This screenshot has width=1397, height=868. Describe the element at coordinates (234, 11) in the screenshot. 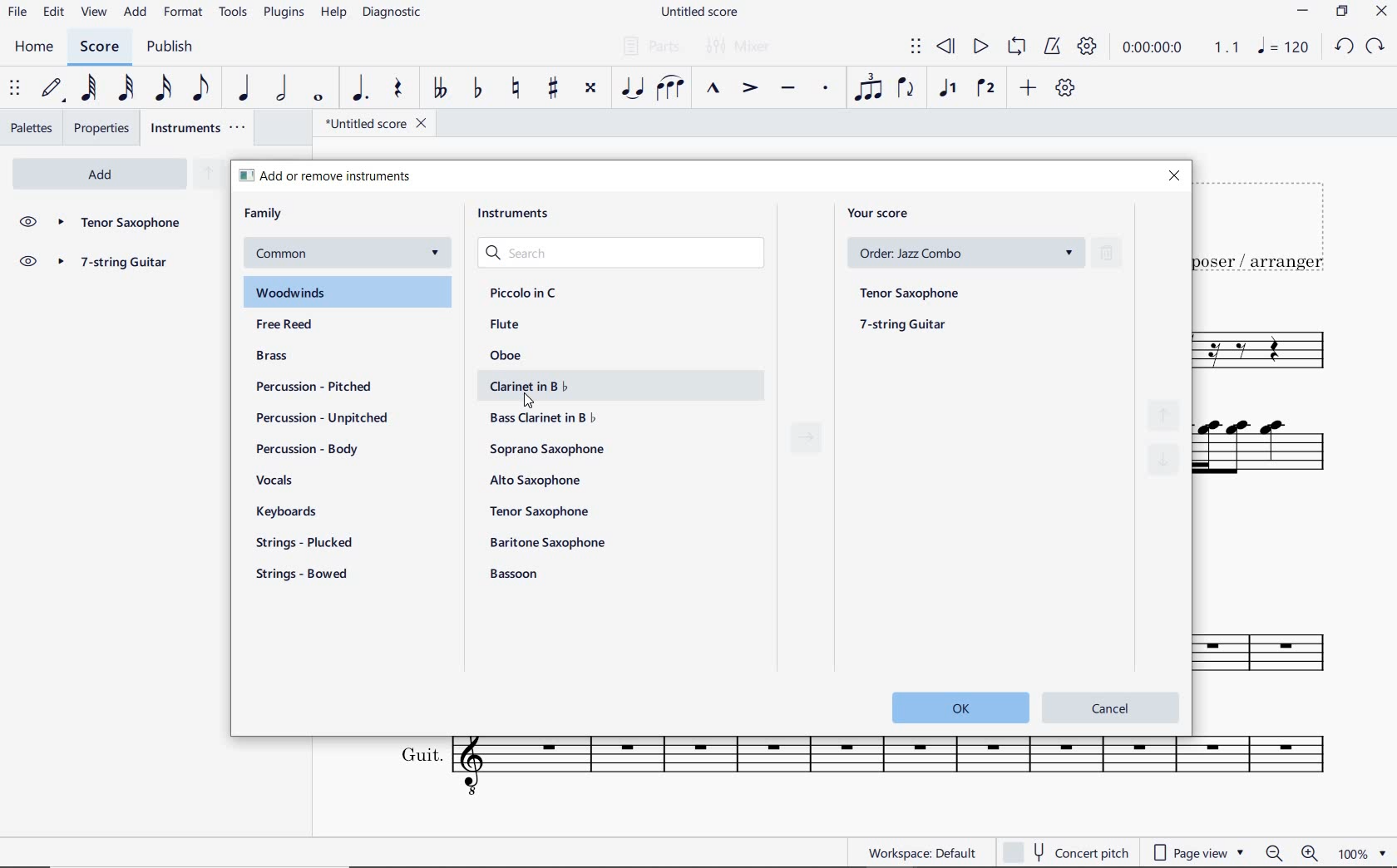

I see `TOOLS` at that location.